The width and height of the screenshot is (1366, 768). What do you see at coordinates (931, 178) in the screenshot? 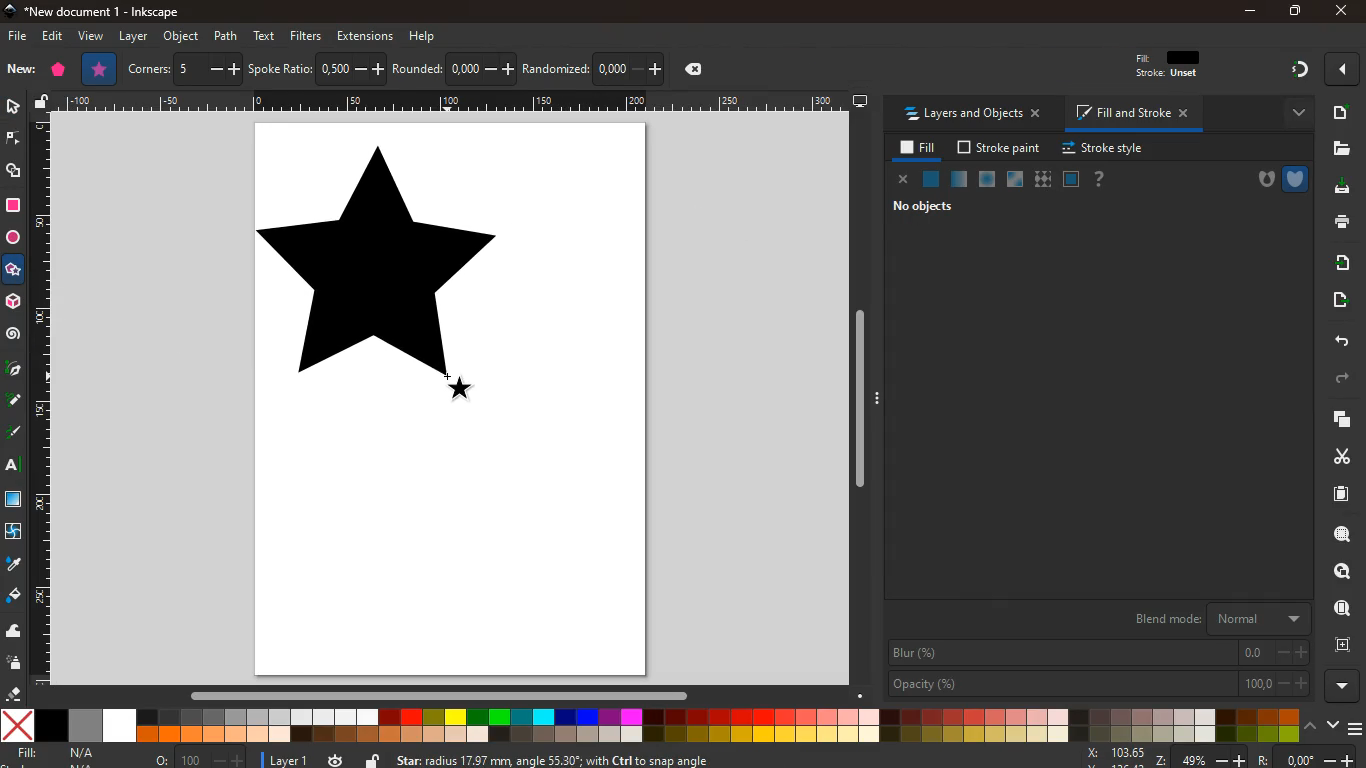
I see `normal` at bounding box center [931, 178].